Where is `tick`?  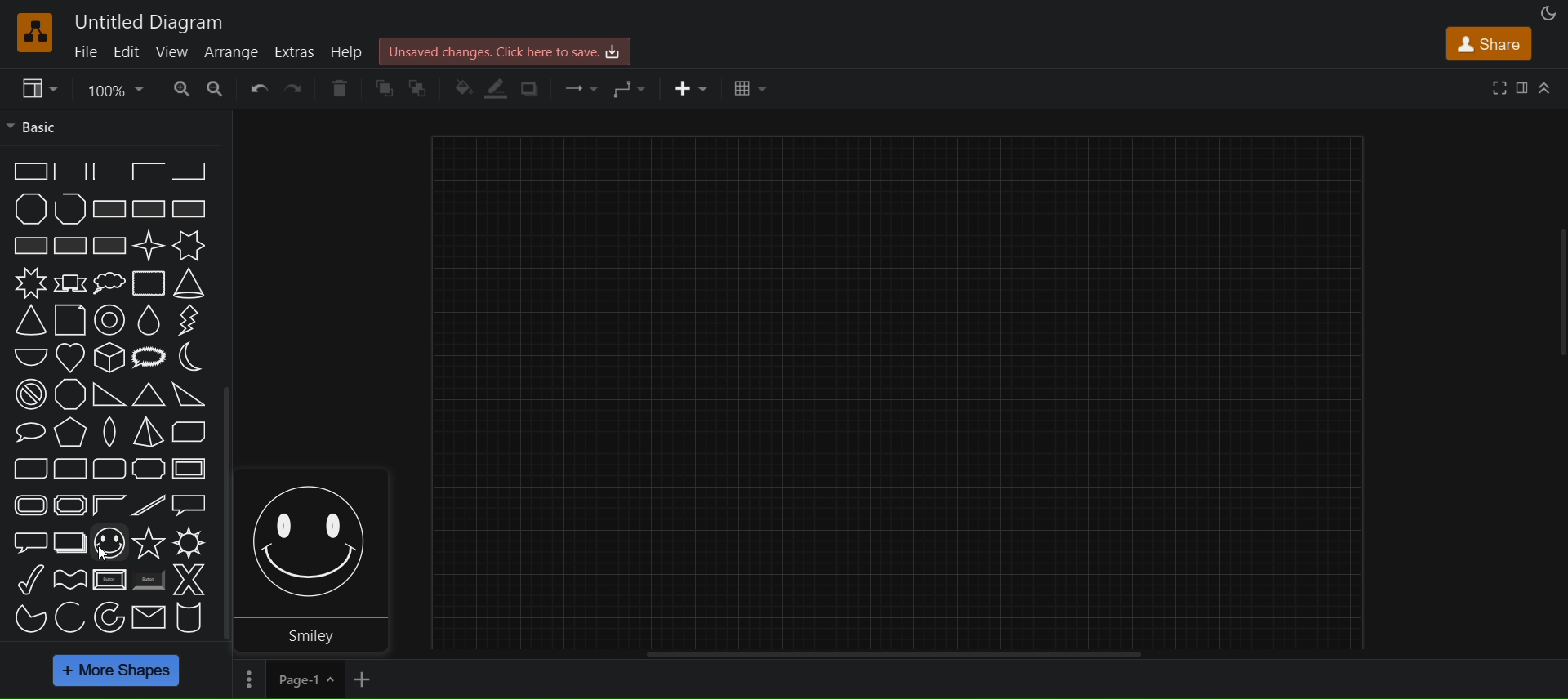 tick is located at coordinates (31, 581).